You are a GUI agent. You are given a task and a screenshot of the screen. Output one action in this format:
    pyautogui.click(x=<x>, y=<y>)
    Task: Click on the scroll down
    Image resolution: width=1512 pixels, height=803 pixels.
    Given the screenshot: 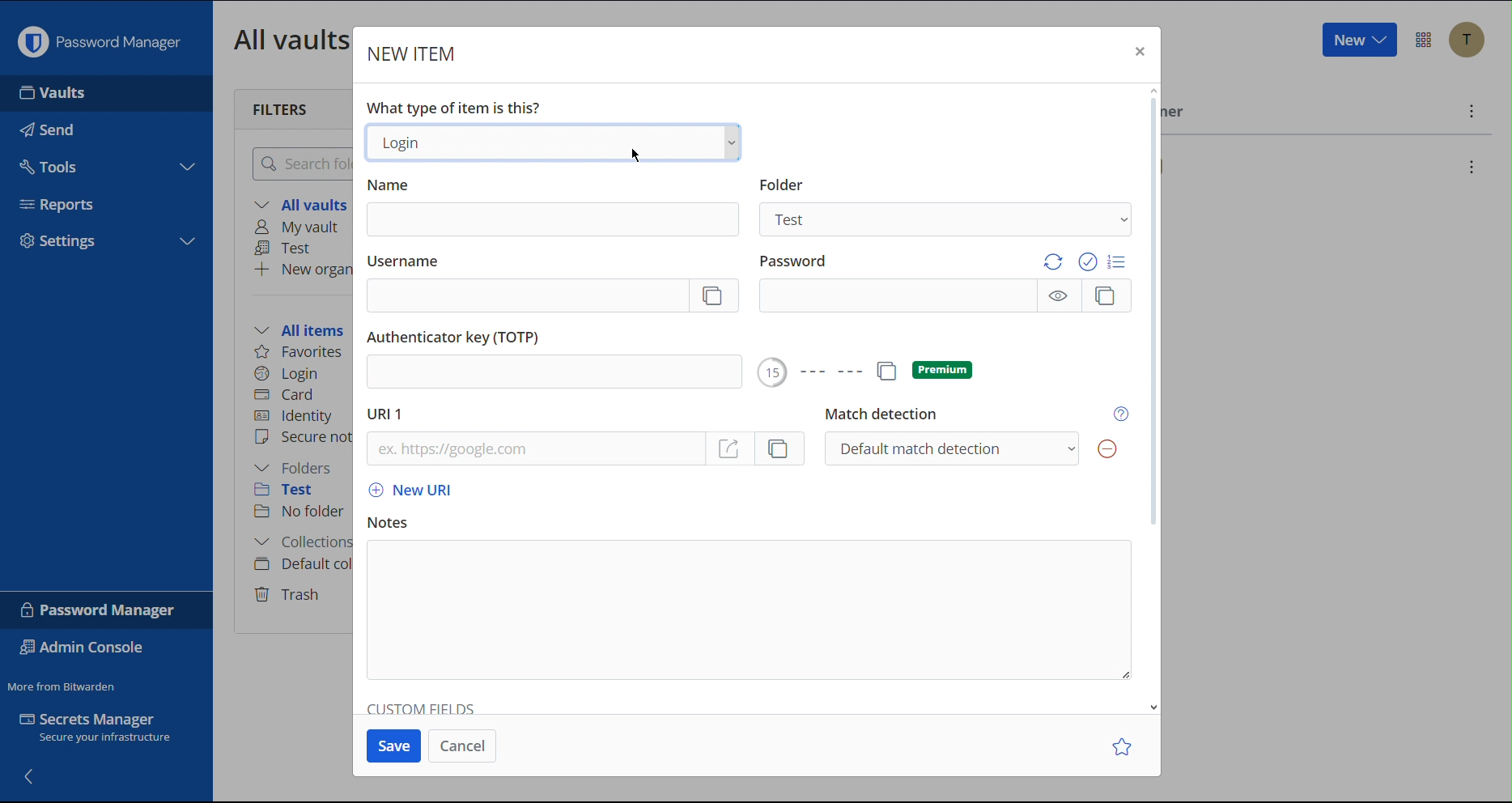 What is the action you would take?
    pyautogui.click(x=1150, y=707)
    